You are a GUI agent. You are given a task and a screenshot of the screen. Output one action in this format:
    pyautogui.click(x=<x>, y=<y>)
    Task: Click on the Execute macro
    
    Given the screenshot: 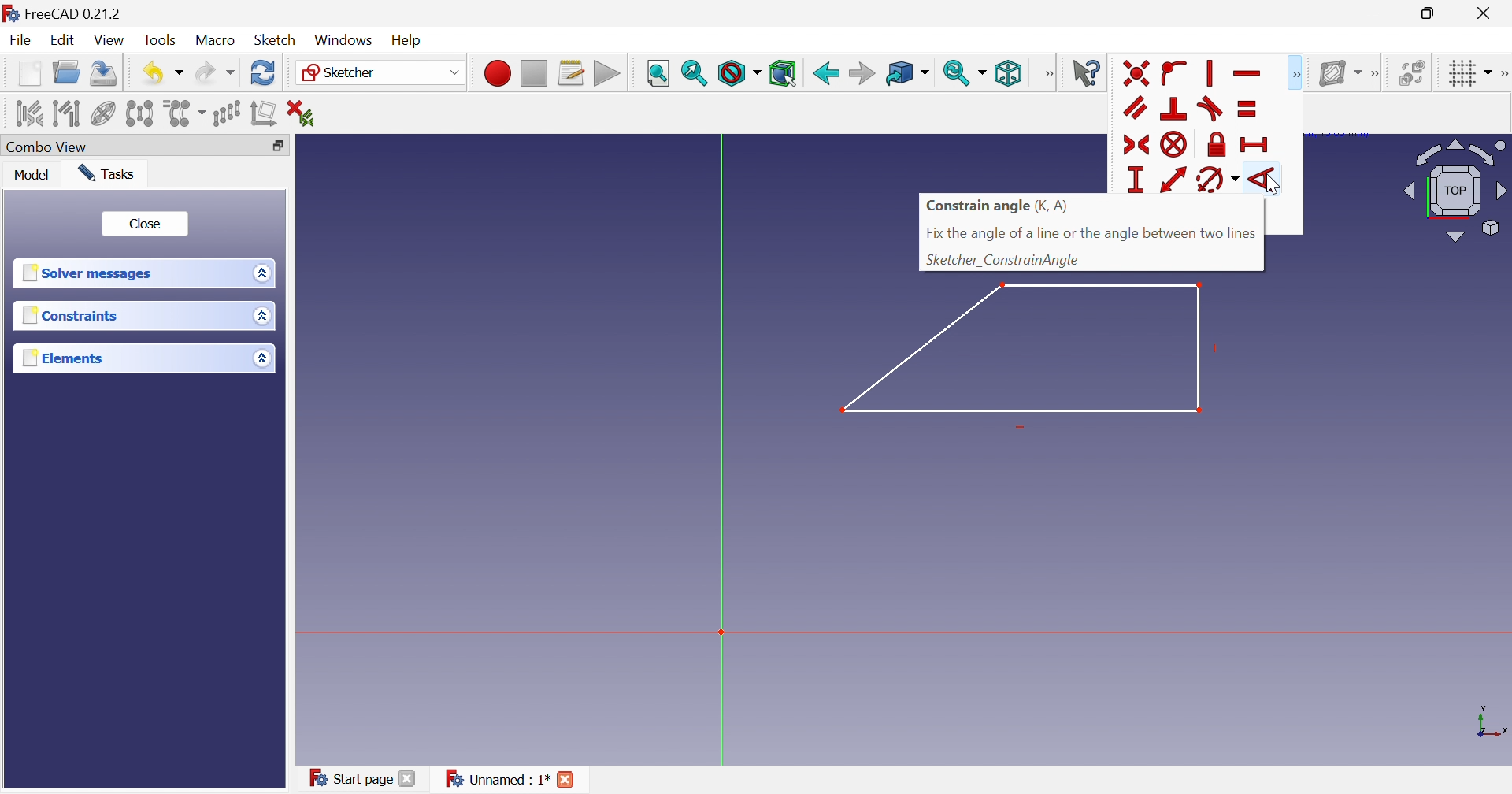 What is the action you would take?
    pyautogui.click(x=606, y=73)
    